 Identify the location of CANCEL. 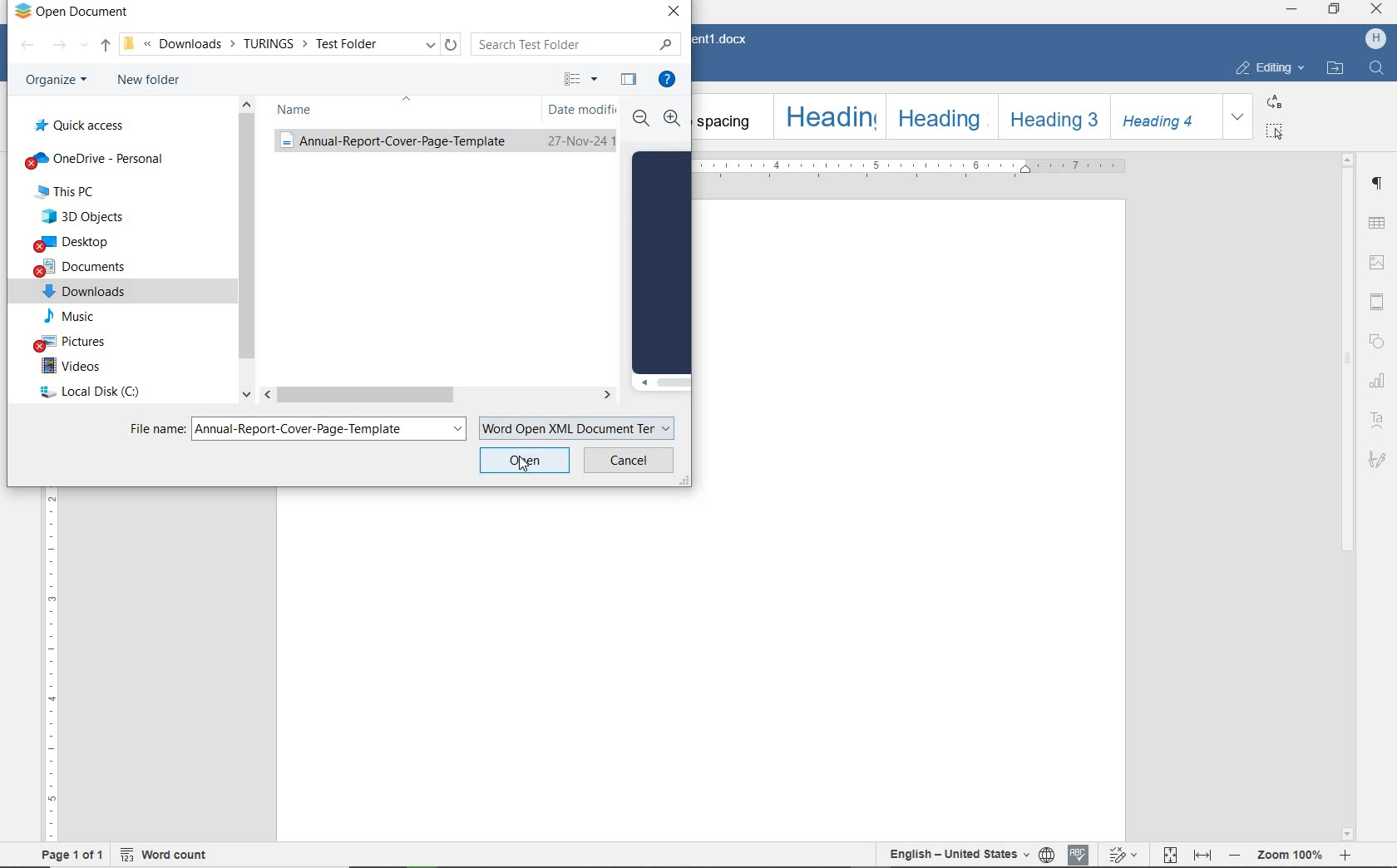
(629, 460).